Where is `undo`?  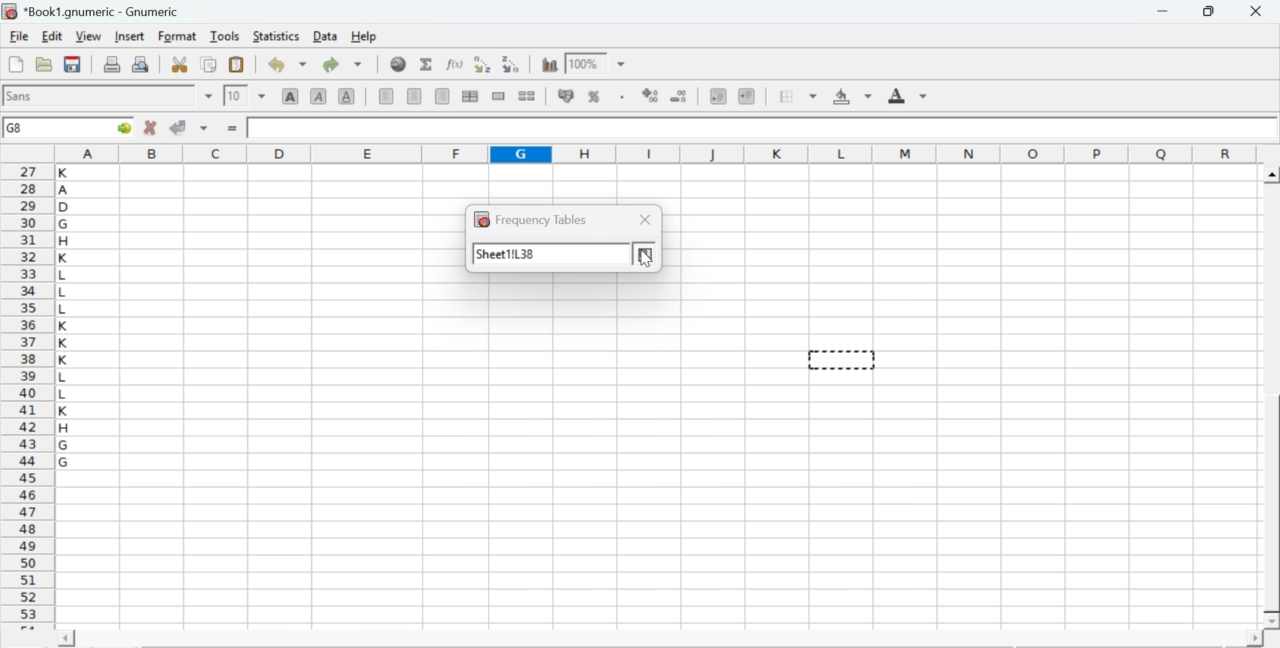
undo is located at coordinates (286, 65).